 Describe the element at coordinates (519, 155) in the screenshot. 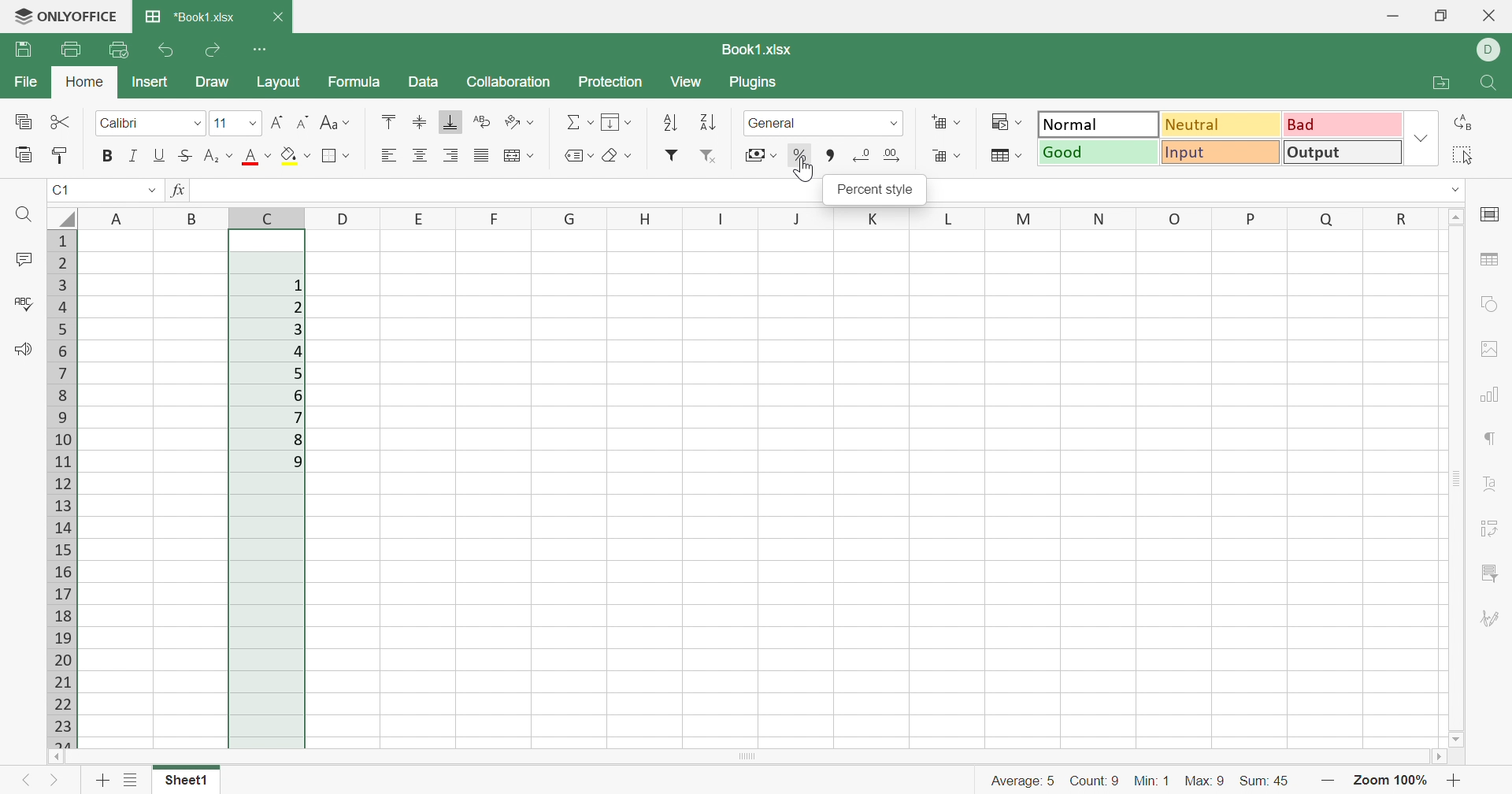

I see `Merge and center` at that location.